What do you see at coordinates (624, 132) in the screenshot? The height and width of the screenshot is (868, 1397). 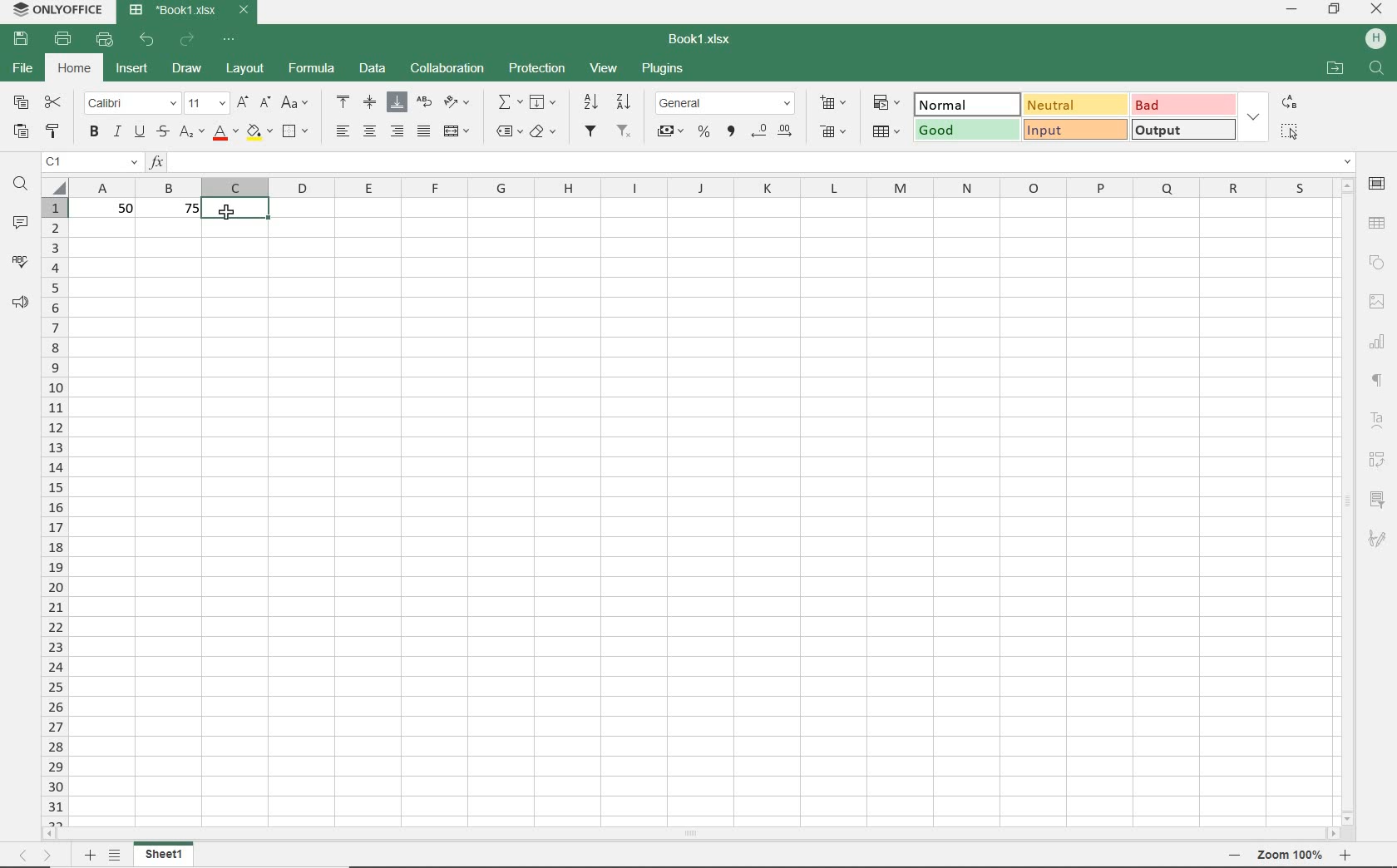 I see `remove filter` at bounding box center [624, 132].